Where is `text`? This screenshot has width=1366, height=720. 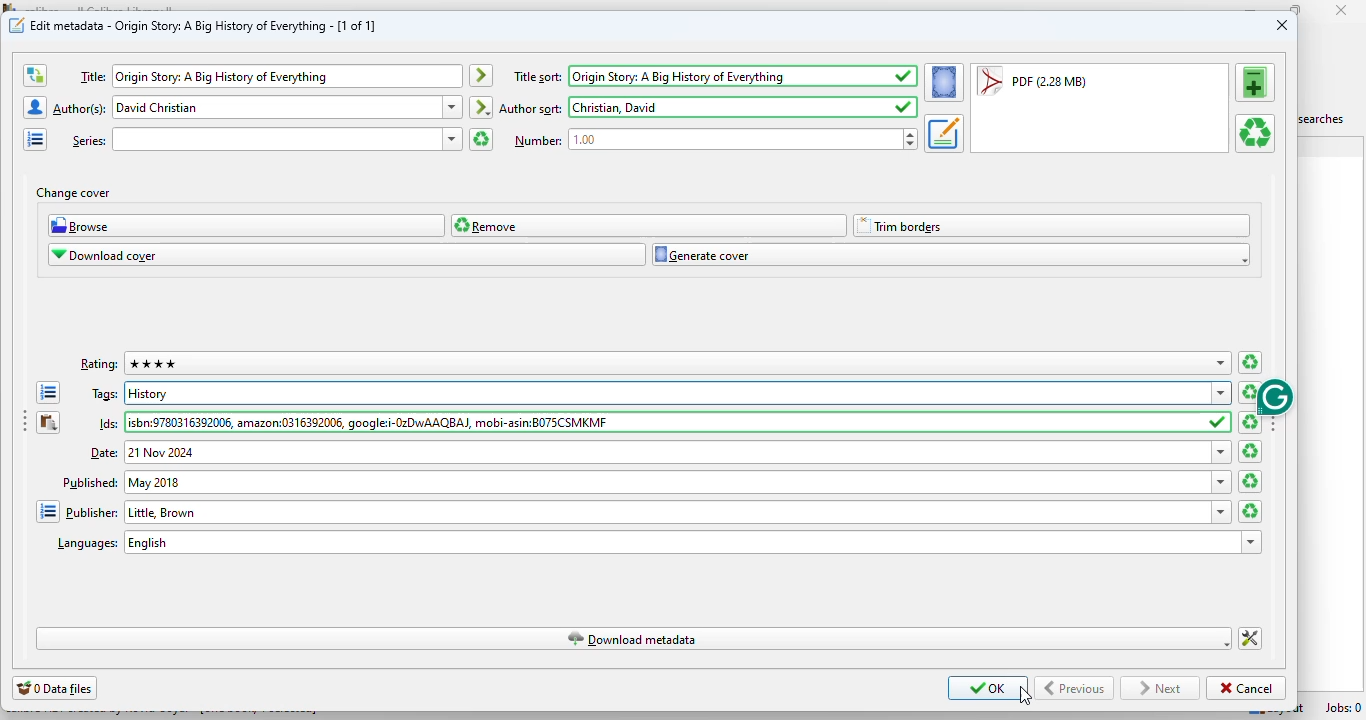 text is located at coordinates (105, 454).